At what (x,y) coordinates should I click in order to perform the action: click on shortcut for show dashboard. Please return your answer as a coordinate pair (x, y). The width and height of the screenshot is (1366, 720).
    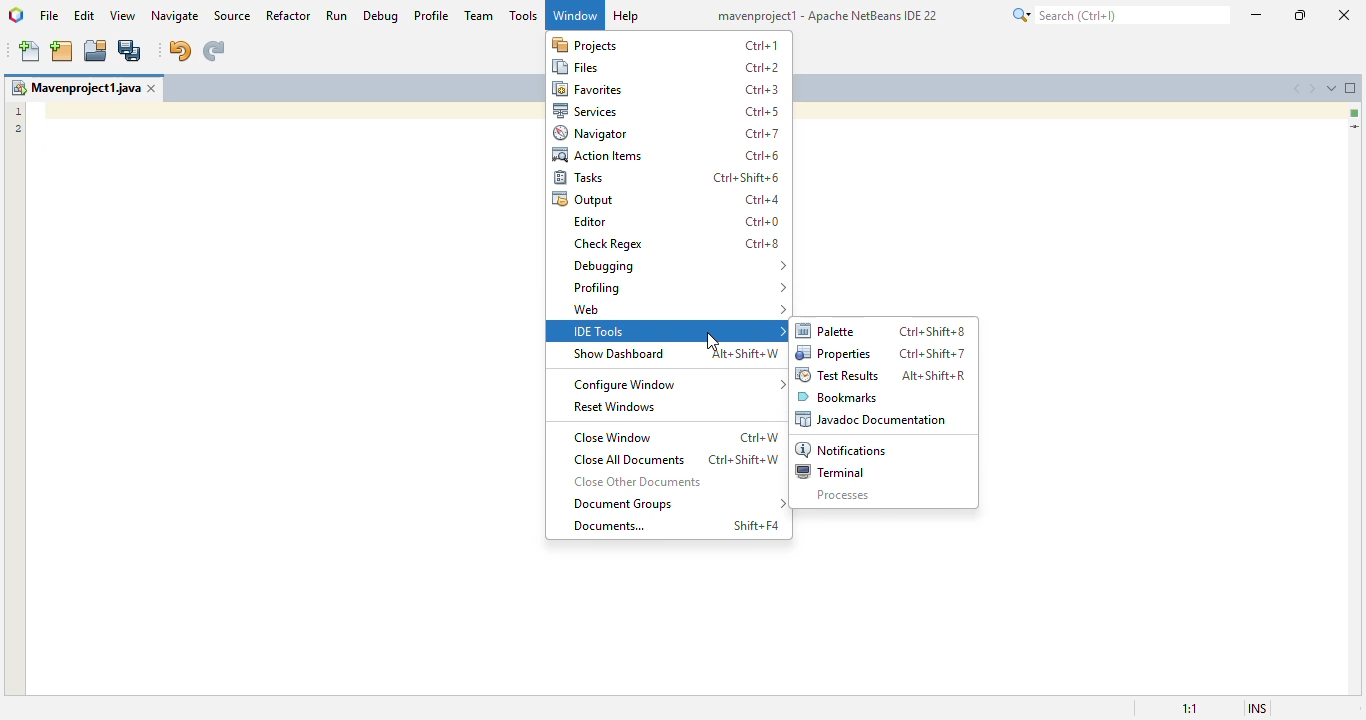
    Looking at the image, I should click on (747, 355).